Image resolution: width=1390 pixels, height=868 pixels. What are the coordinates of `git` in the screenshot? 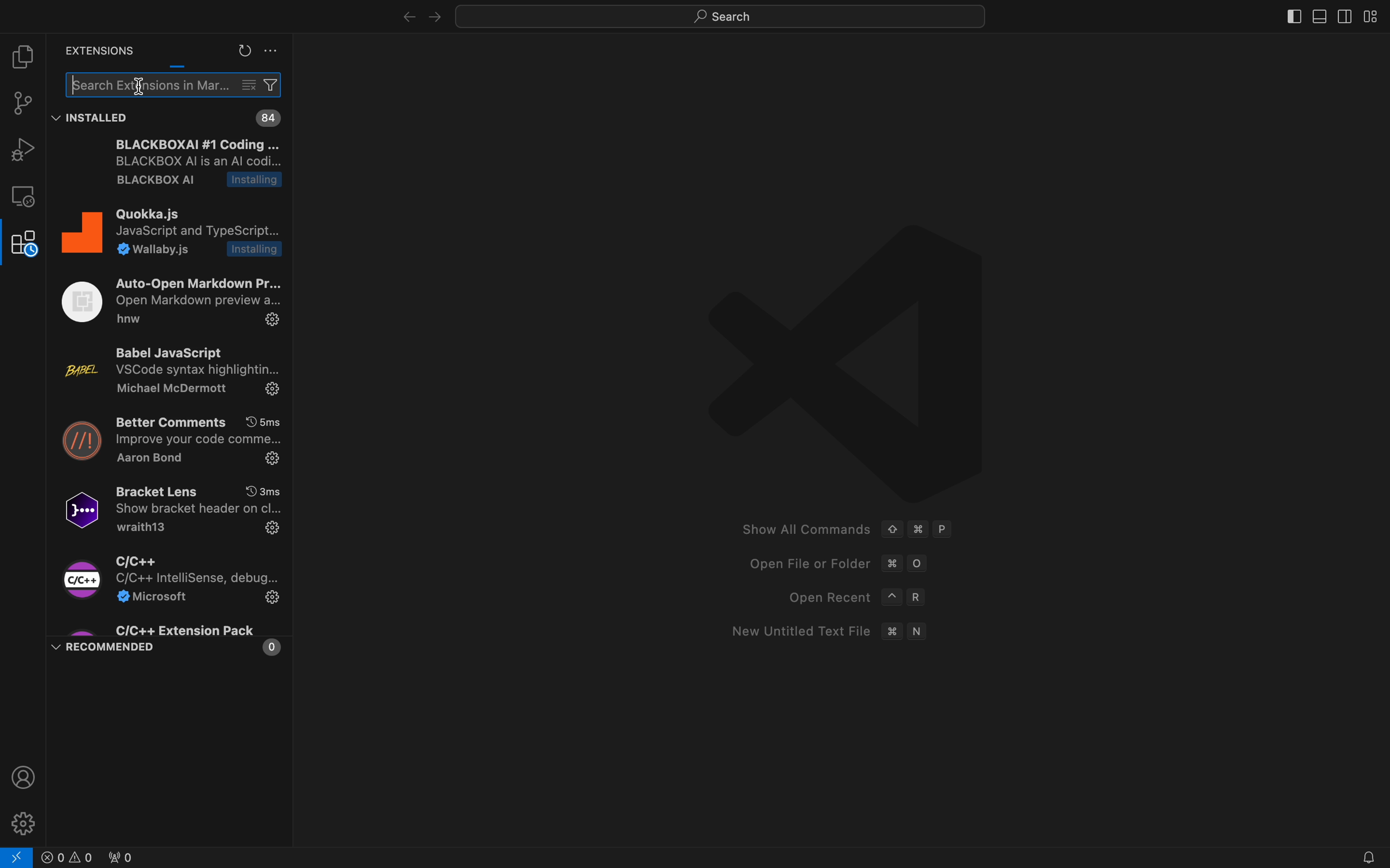 It's located at (23, 103).